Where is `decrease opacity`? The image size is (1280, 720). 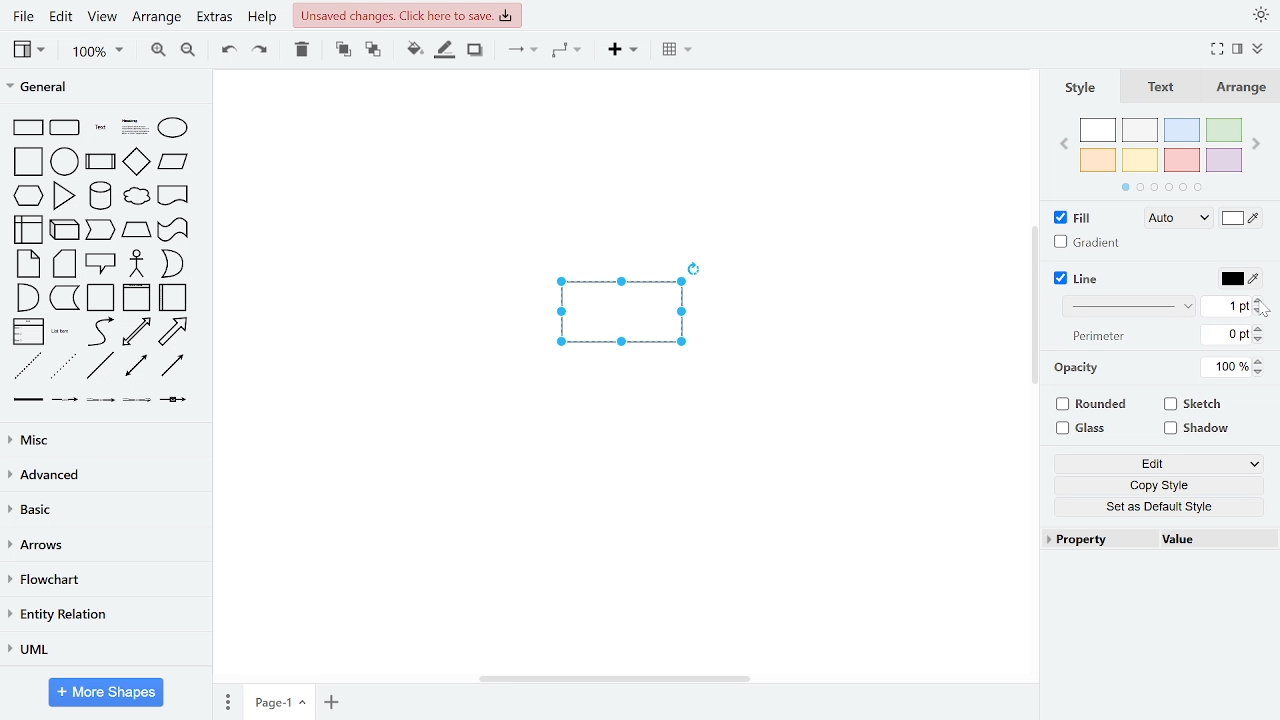 decrease opacity is located at coordinates (1261, 373).